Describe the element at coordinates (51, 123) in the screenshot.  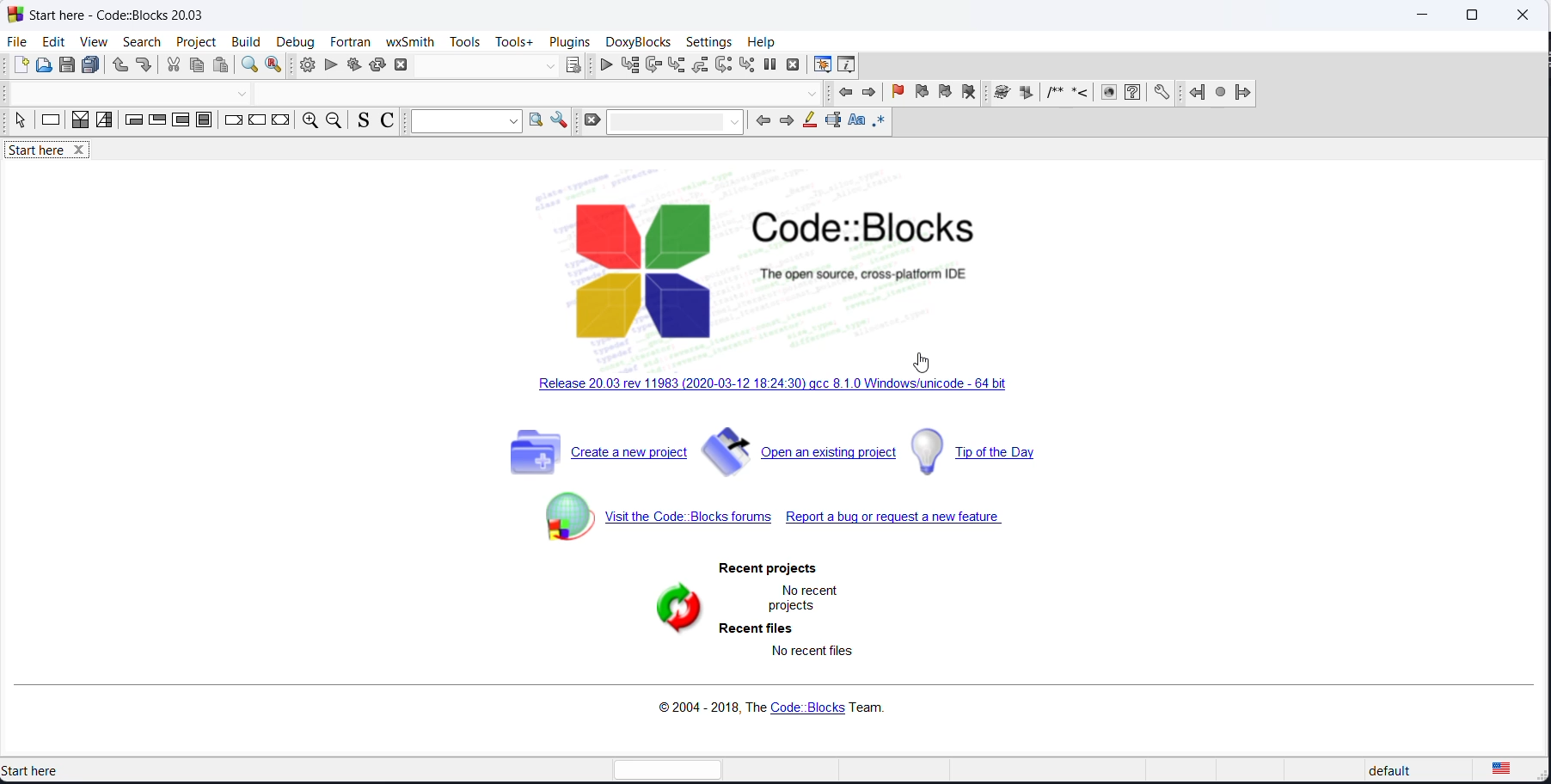
I see `instruction` at that location.